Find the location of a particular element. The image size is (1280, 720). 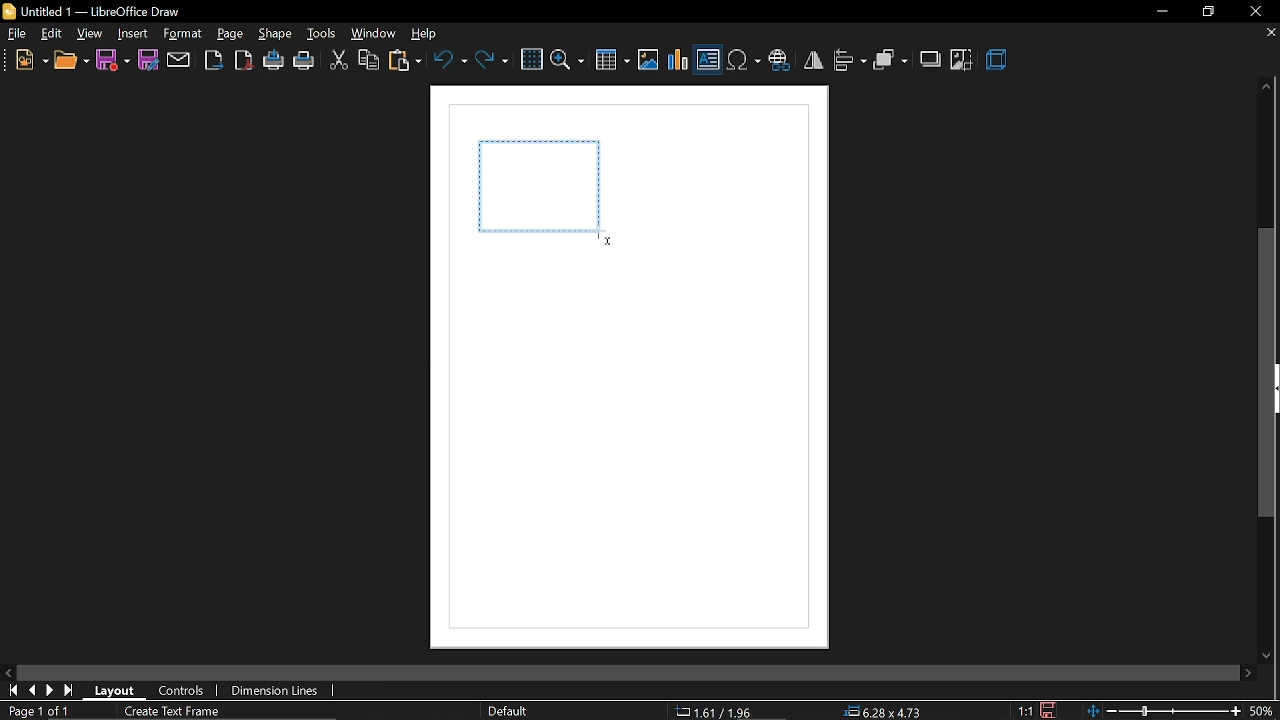

save as is located at coordinates (148, 60).